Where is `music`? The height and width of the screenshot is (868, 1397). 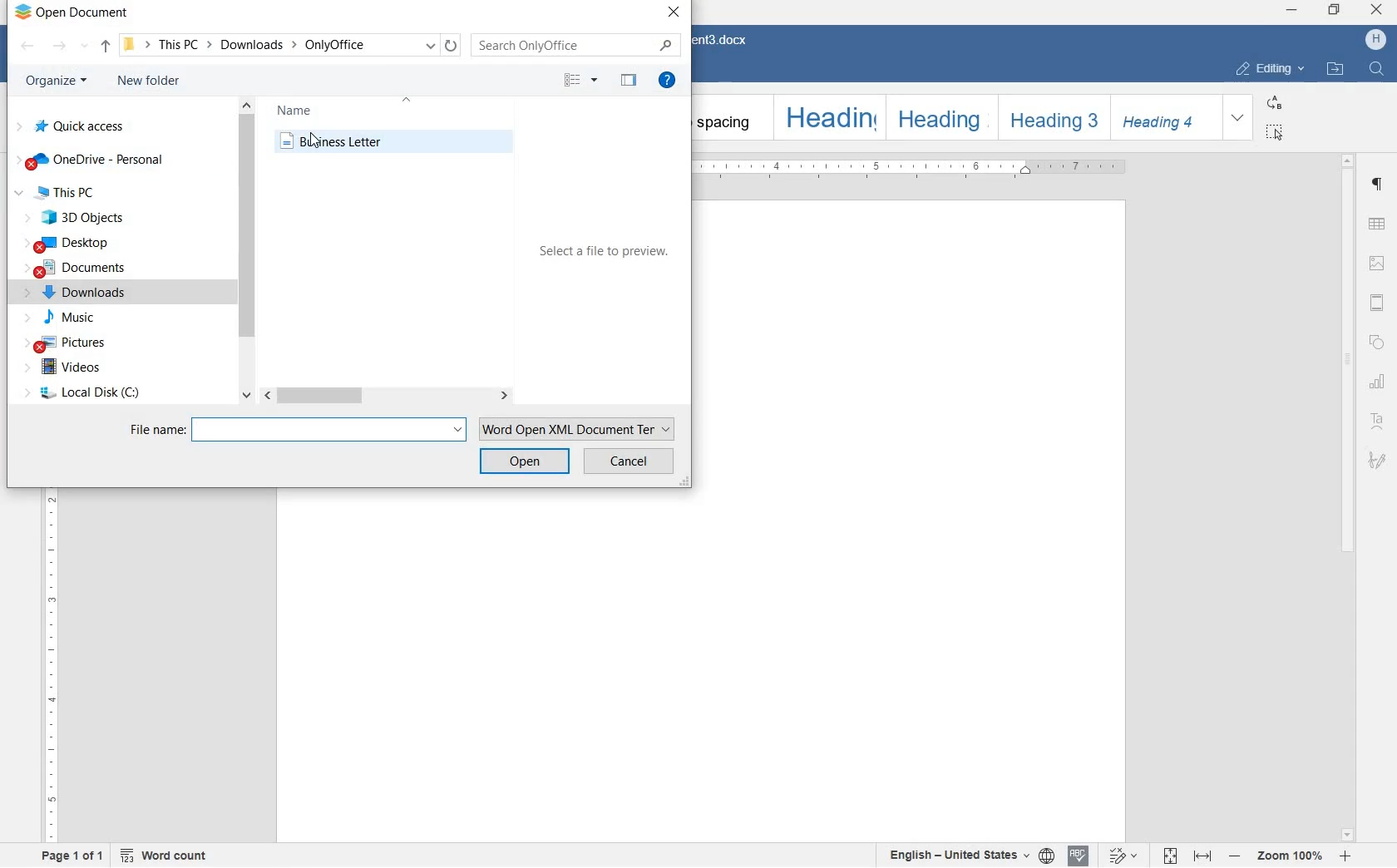 music is located at coordinates (60, 318).